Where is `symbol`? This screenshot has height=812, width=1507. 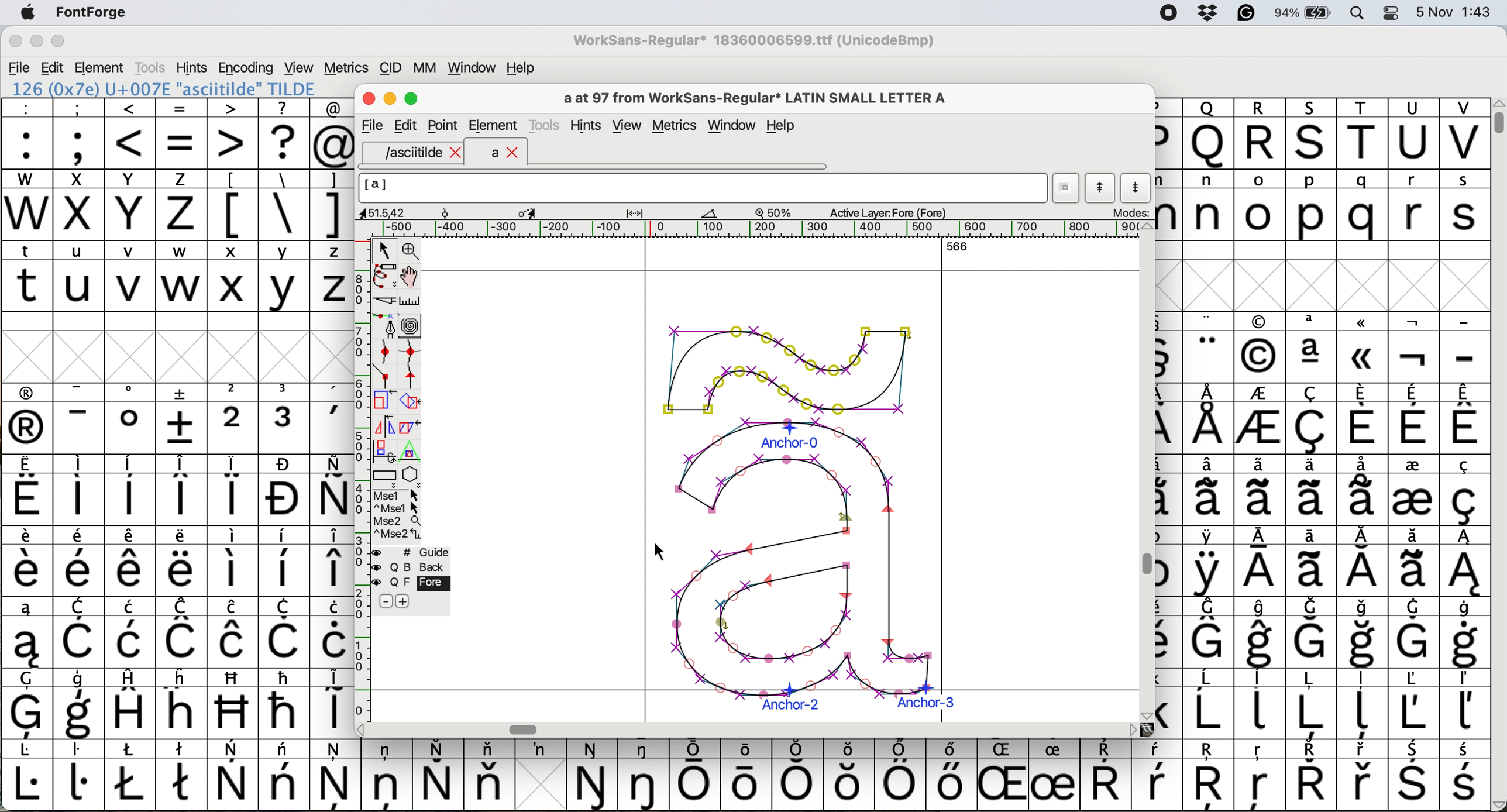
symbol is located at coordinates (234, 490).